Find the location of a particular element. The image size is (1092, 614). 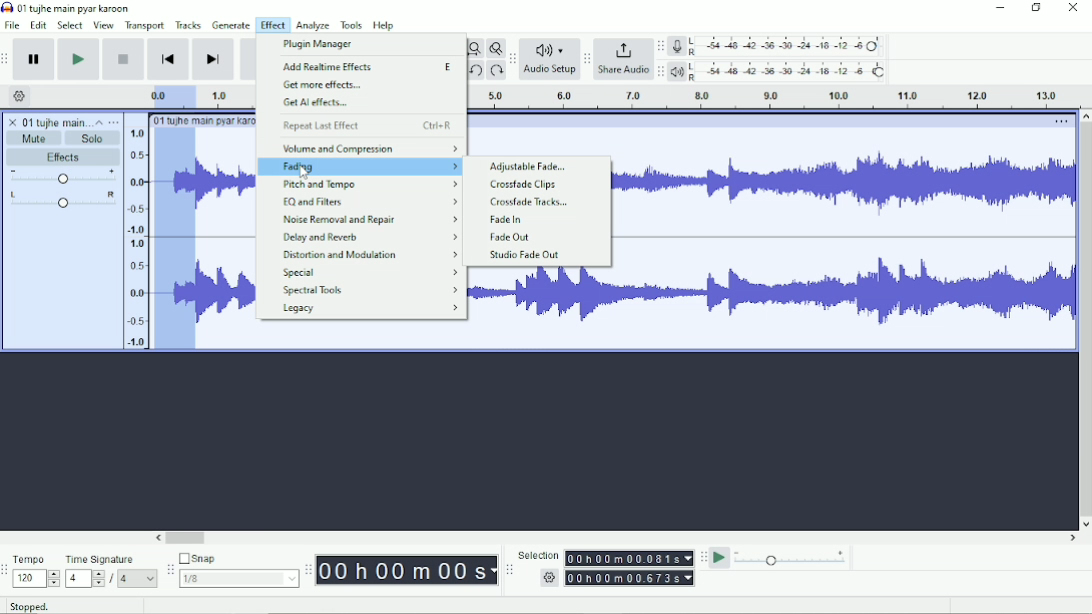

Fading is located at coordinates (360, 167).